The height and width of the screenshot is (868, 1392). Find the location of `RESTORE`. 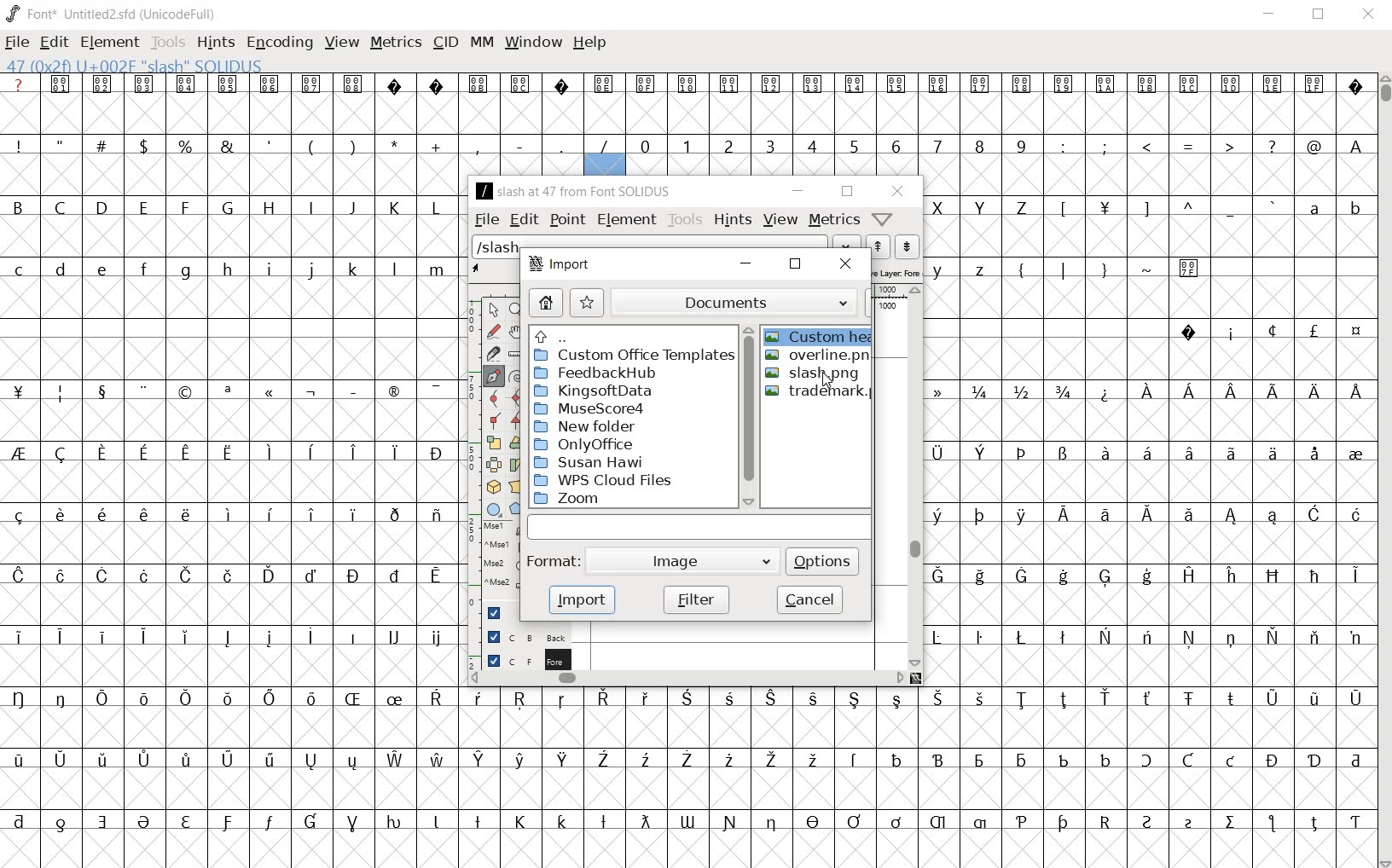

RESTORE is located at coordinates (1316, 14).